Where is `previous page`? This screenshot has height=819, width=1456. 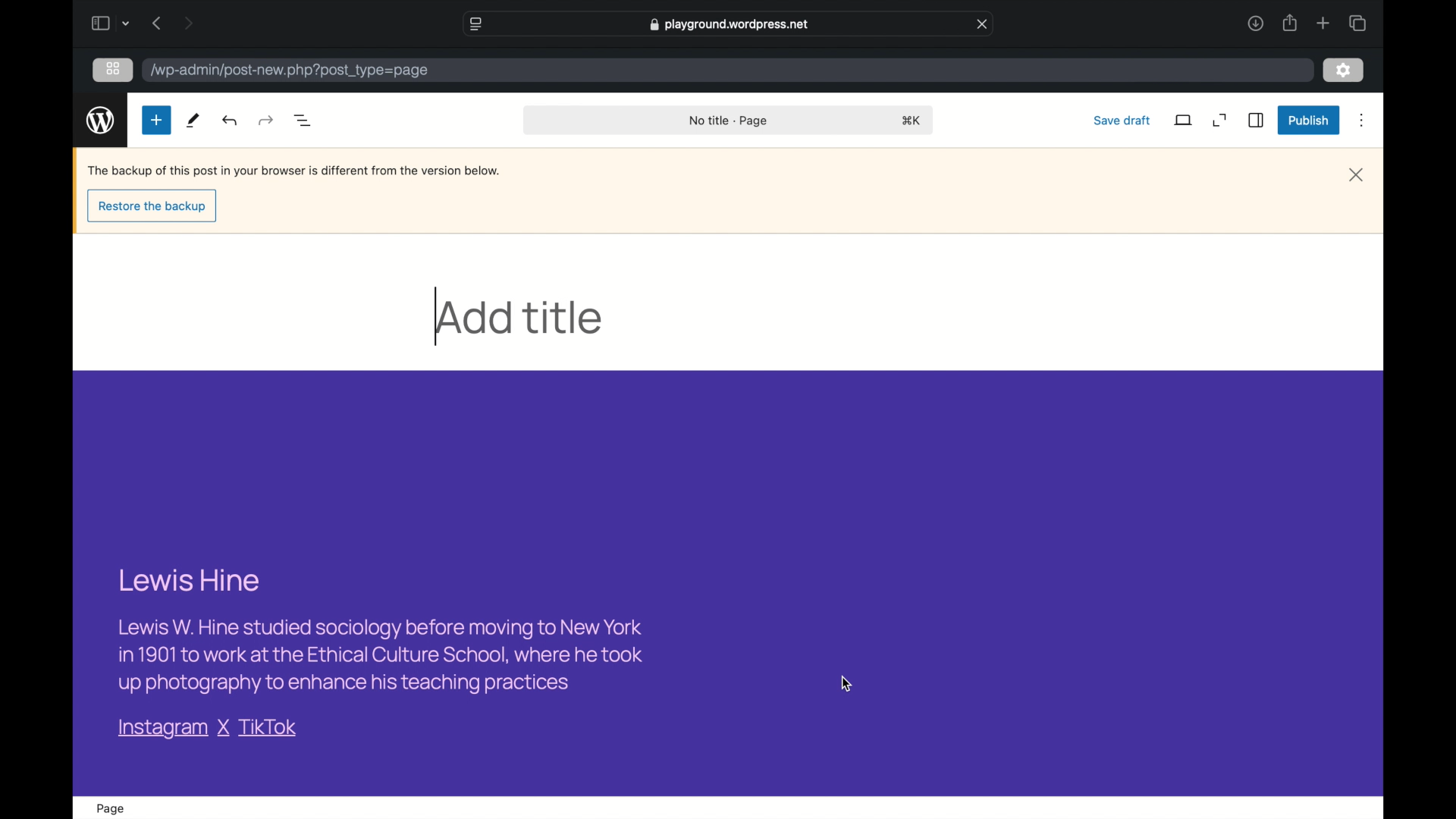
previous page is located at coordinates (156, 24).